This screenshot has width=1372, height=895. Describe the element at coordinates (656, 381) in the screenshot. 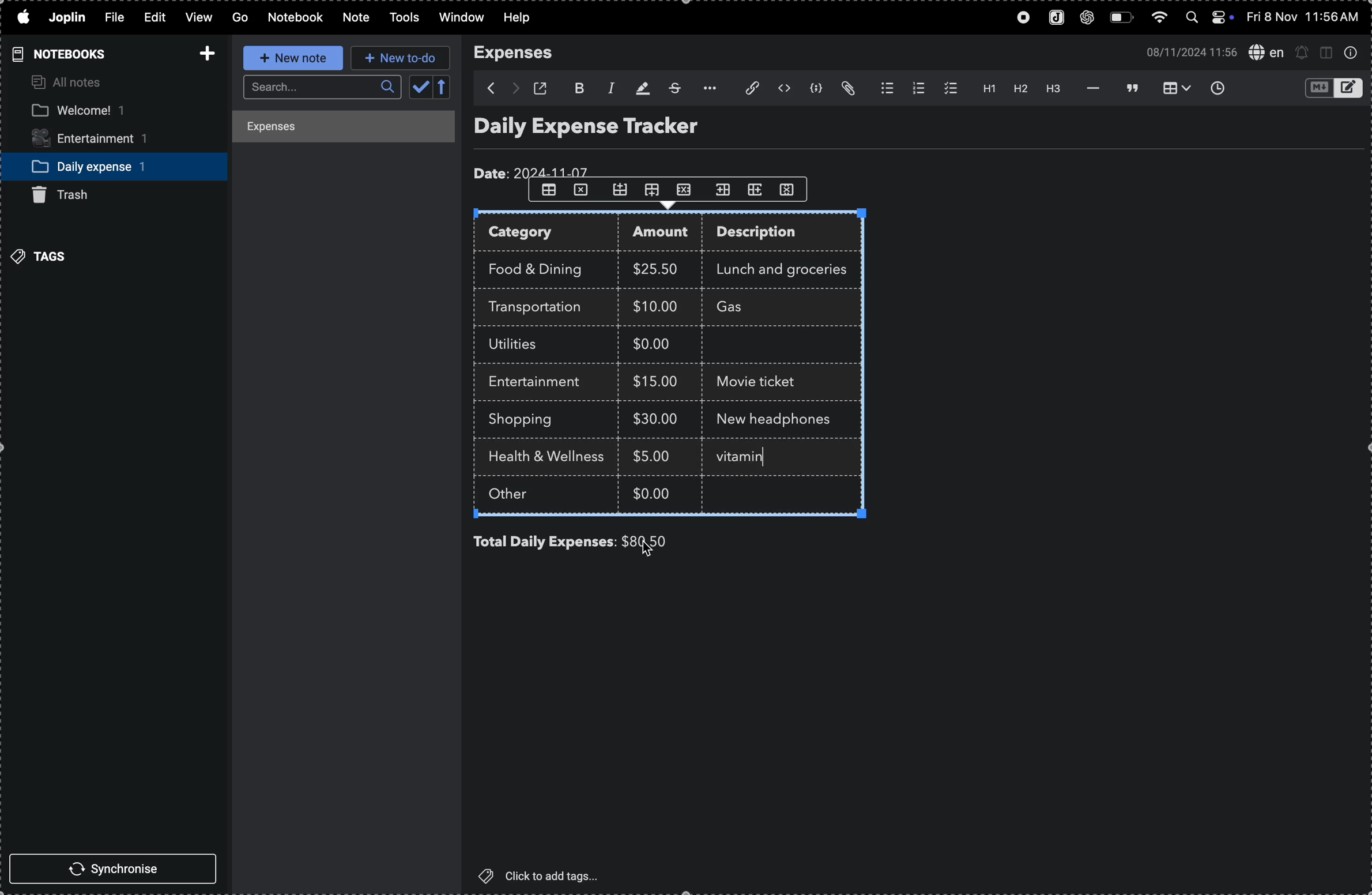

I see `$15.00` at that location.